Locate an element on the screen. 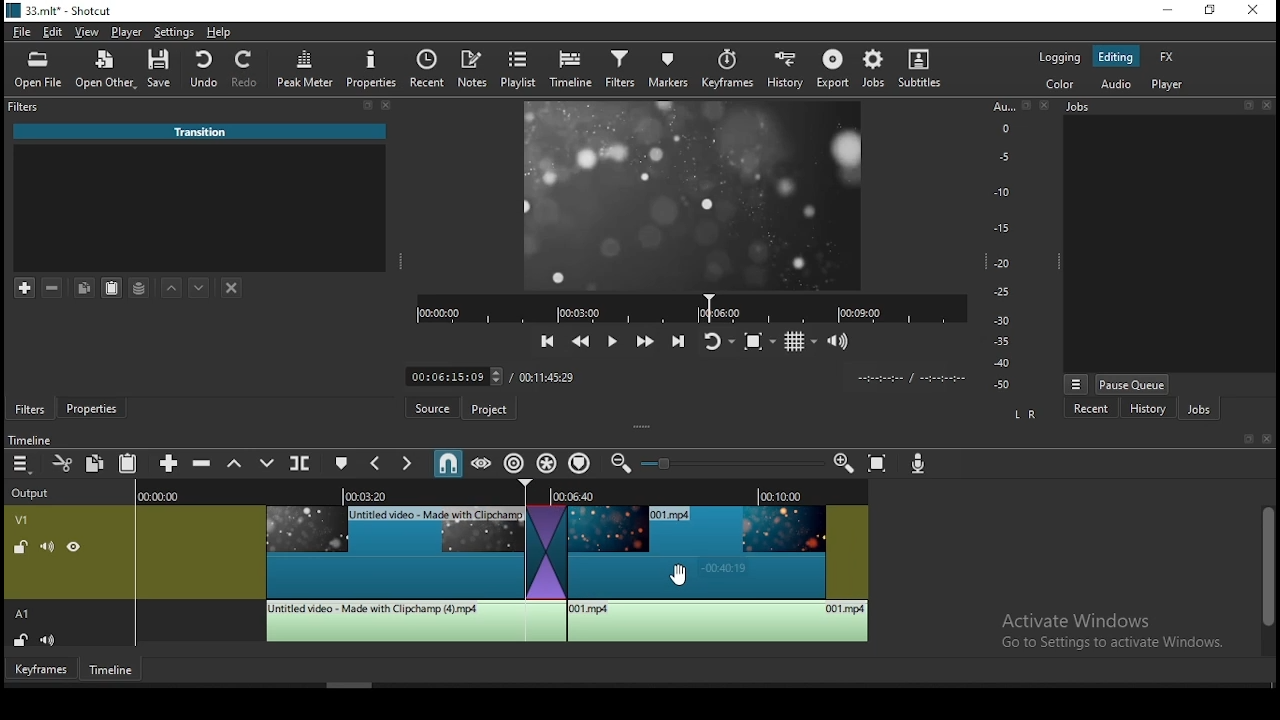  audio is located at coordinates (1115, 86).